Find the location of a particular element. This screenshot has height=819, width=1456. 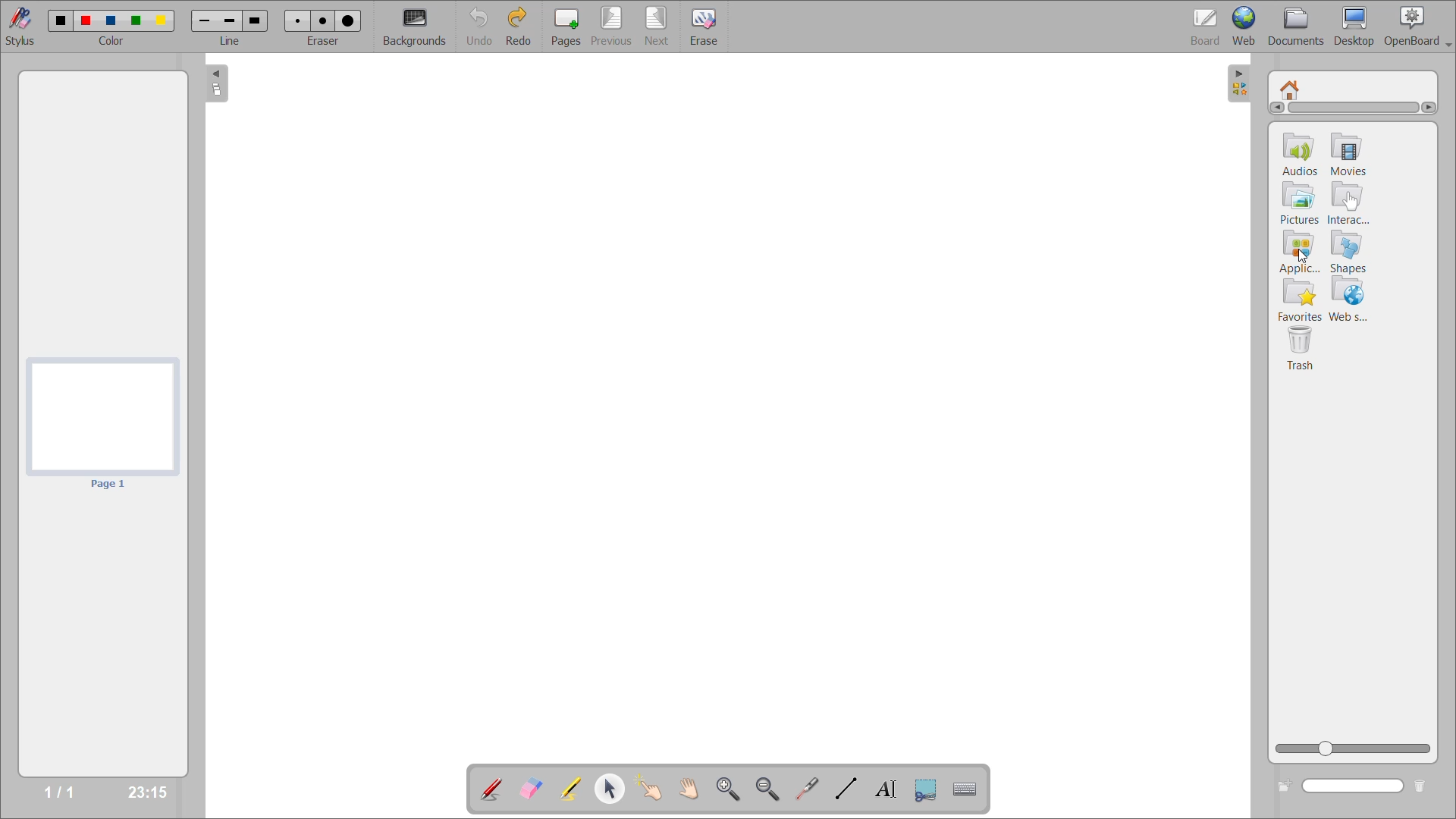

scroll page is located at coordinates (689, 787).